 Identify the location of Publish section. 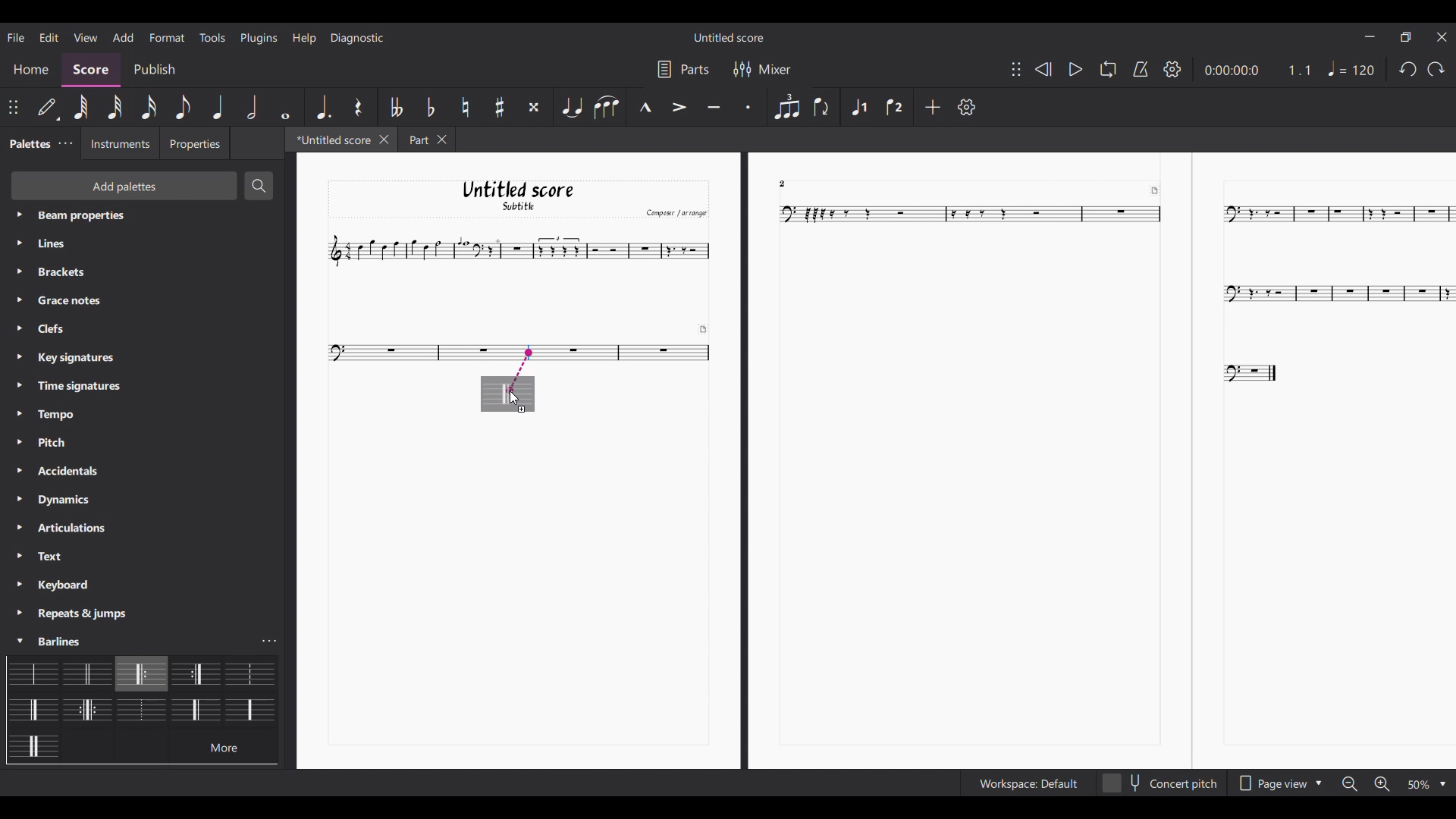
(155, 69).